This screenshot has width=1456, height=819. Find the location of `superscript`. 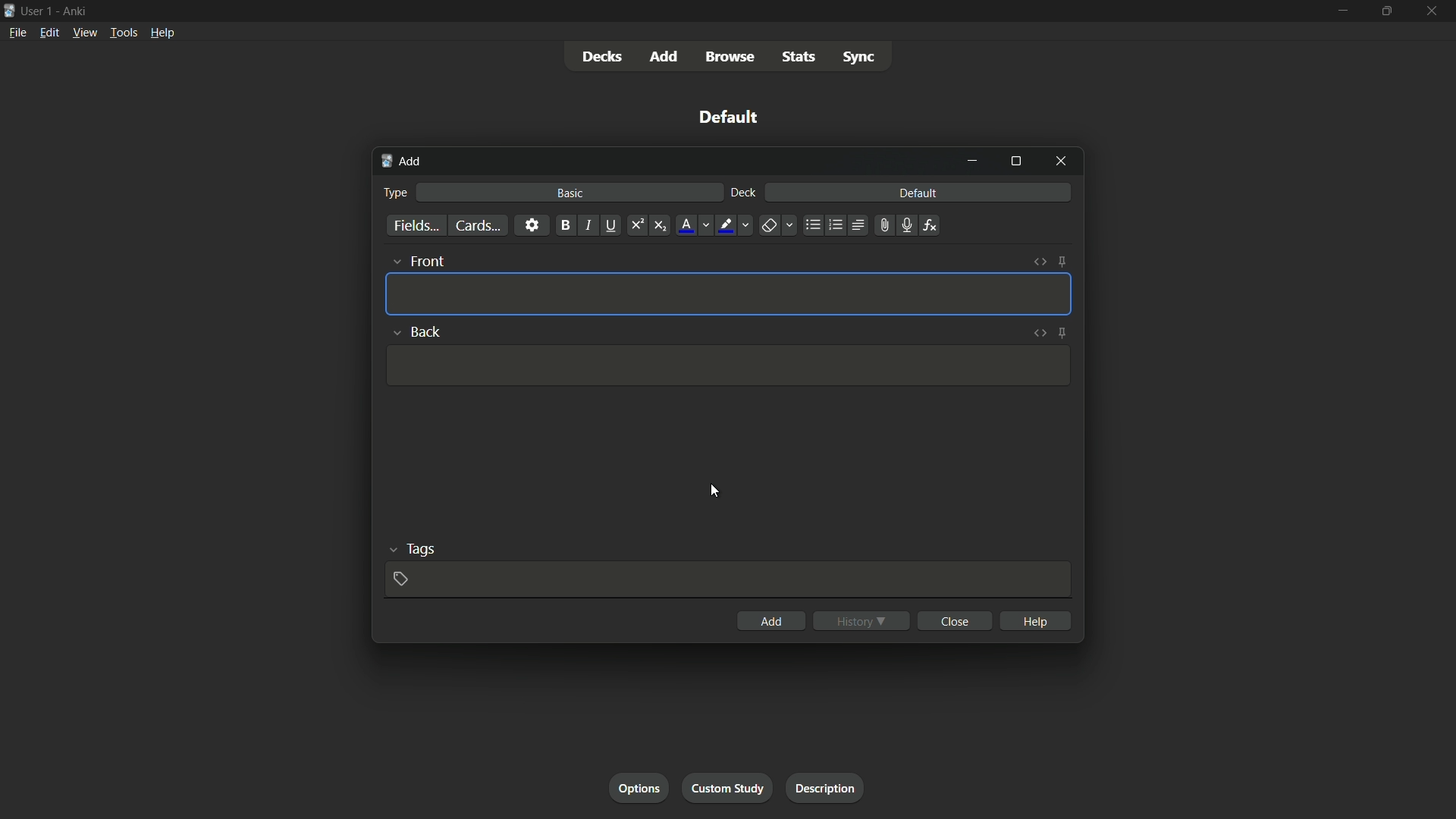

superscript is located at coordinates (636, 225).